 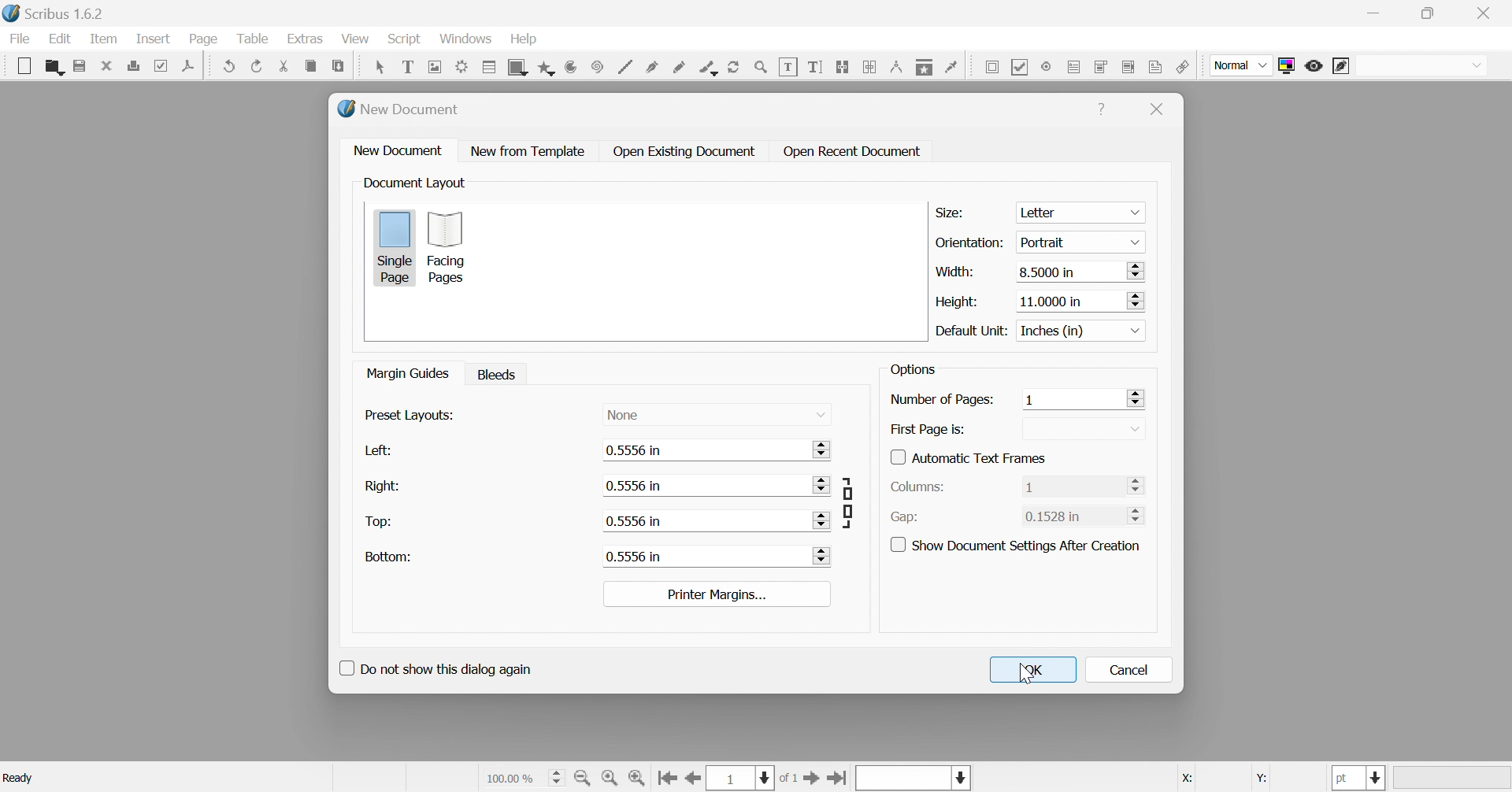 I want to click on close, so click(x=1160, y=113).